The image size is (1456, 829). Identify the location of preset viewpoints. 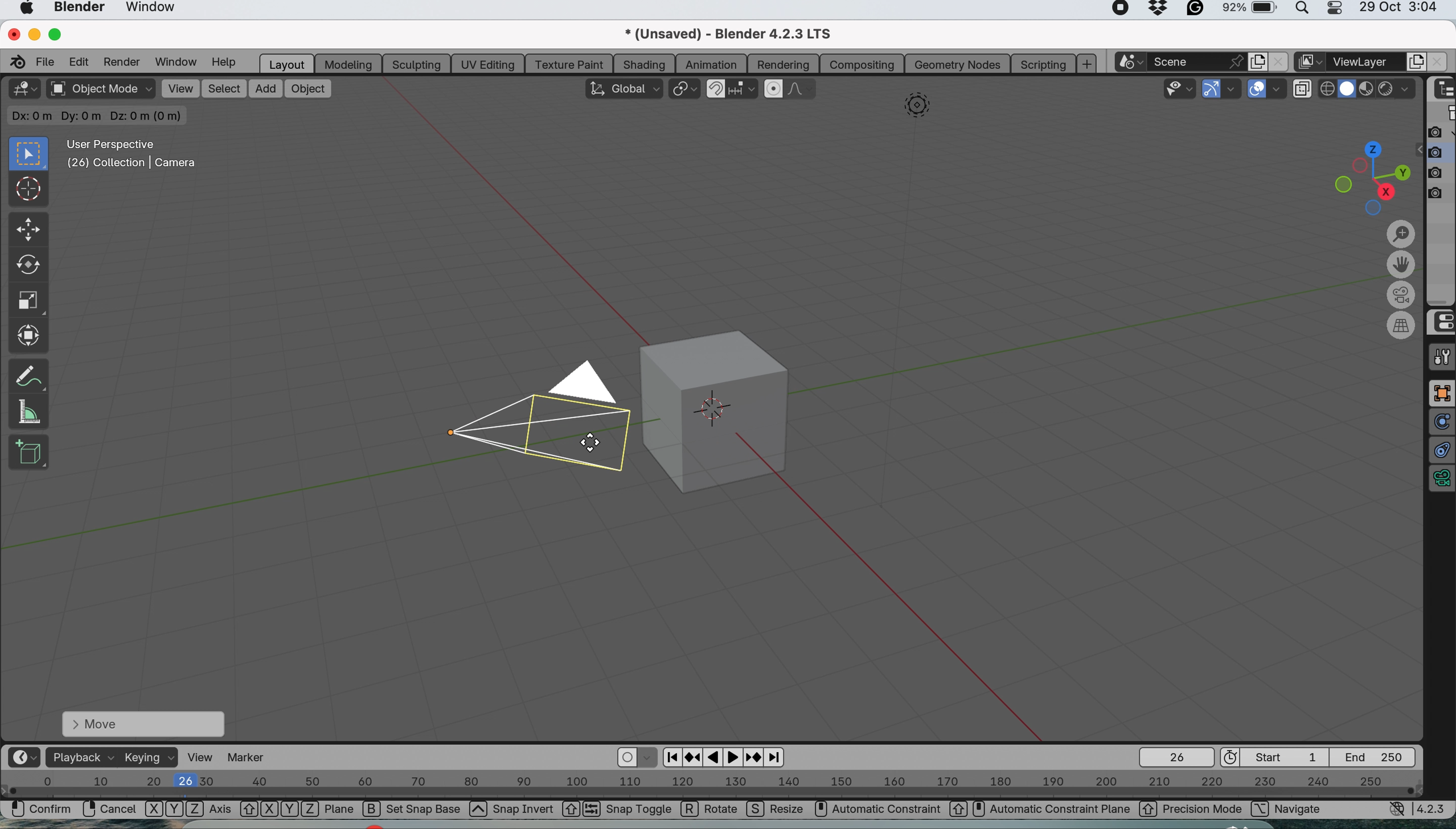
(1365, 176).